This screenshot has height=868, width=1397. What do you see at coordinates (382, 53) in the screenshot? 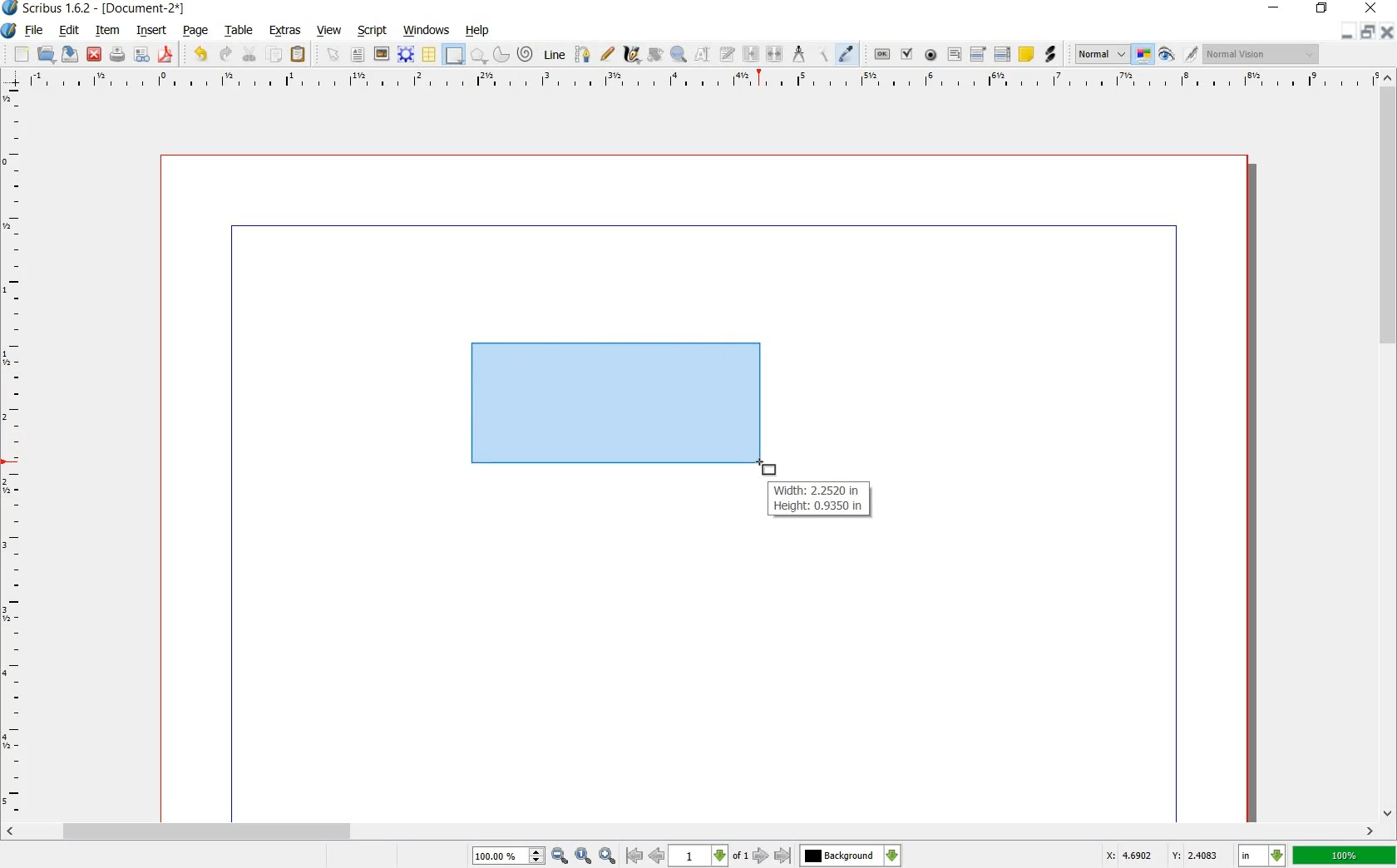
I see `IMAGE` at bounding box center [382, 53].